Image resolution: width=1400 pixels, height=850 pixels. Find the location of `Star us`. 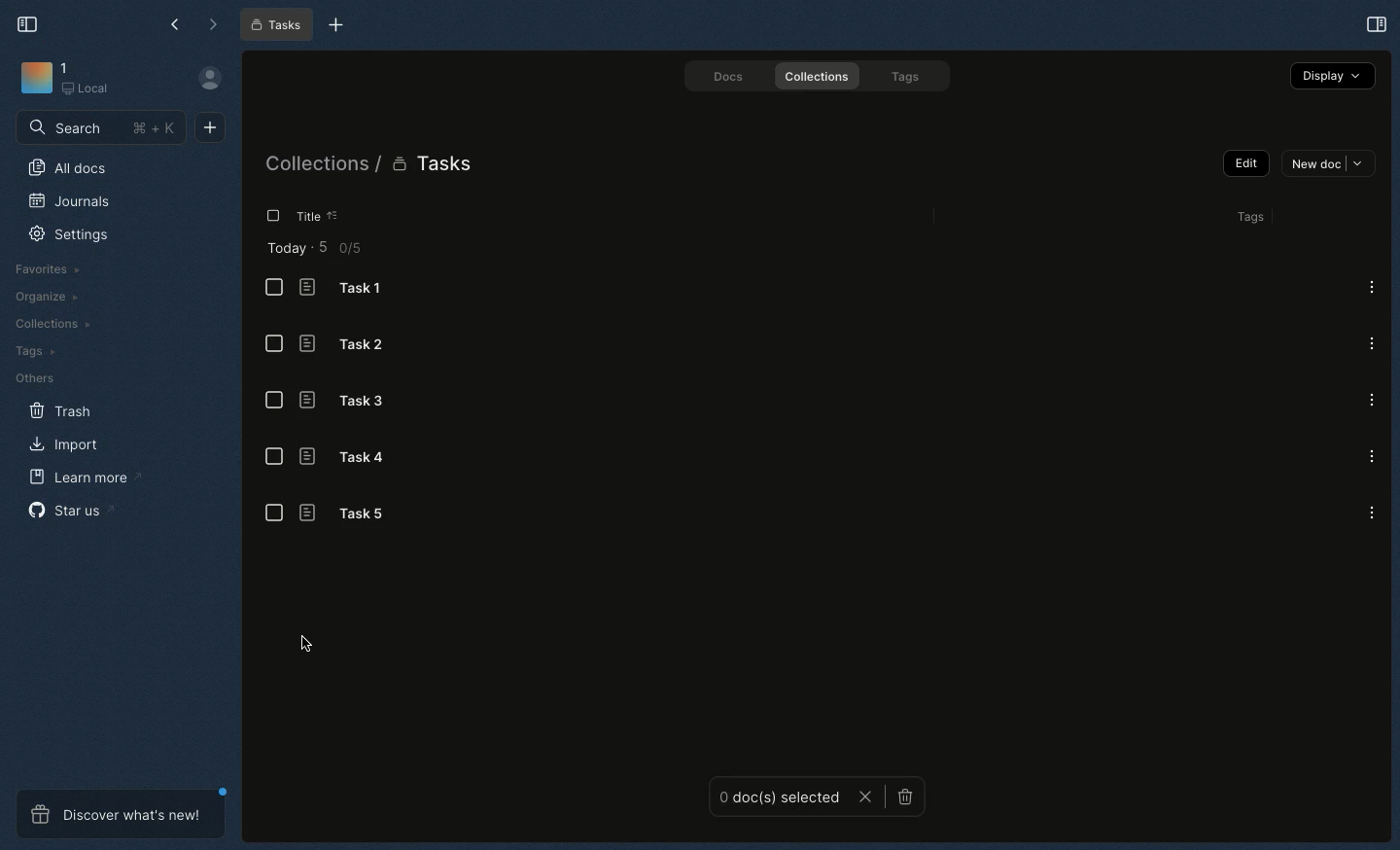

Star us is located at coordinates (66, 509).